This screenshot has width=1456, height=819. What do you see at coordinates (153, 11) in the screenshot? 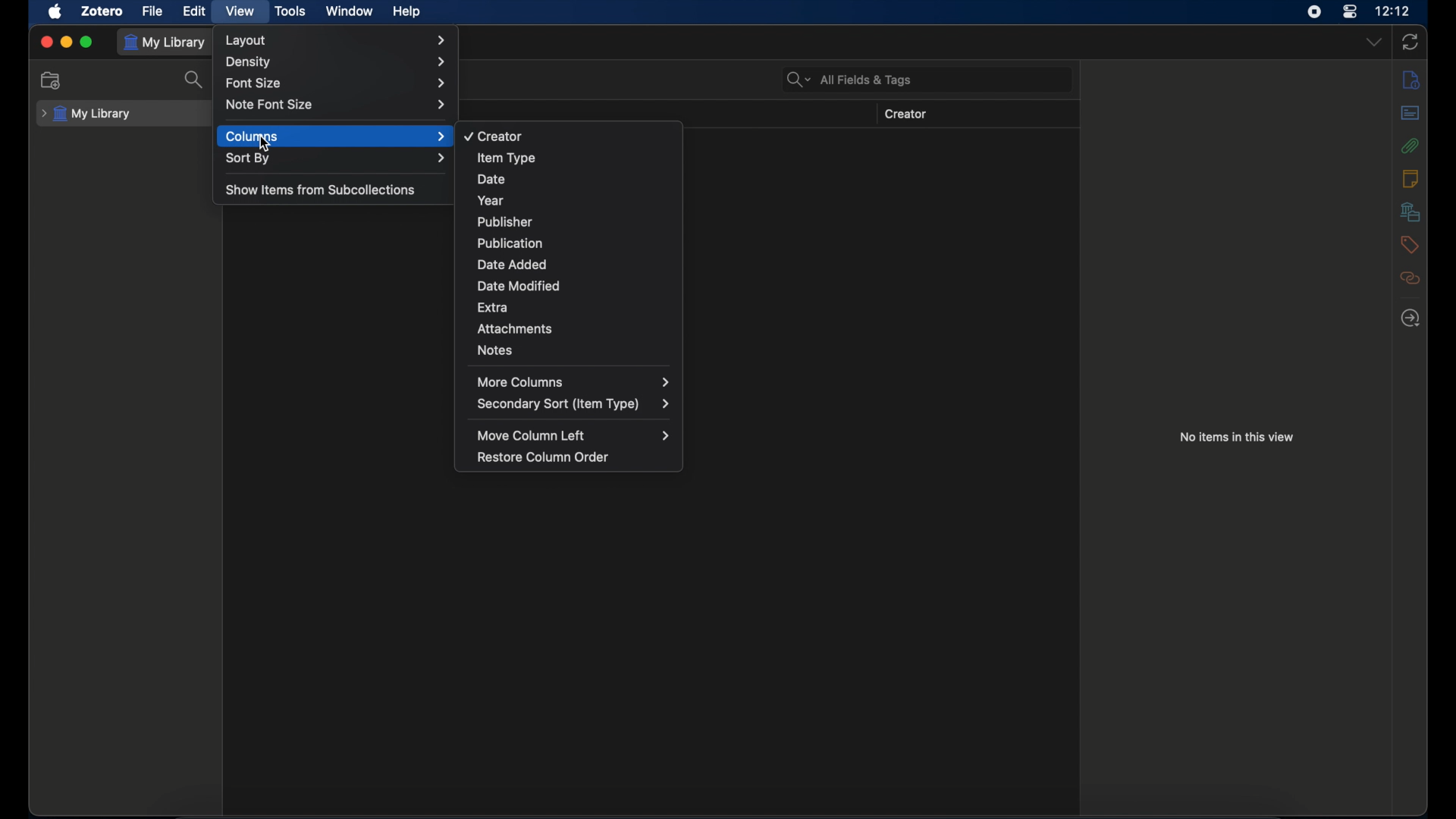
I see `file` at bounding box center [153, 11].